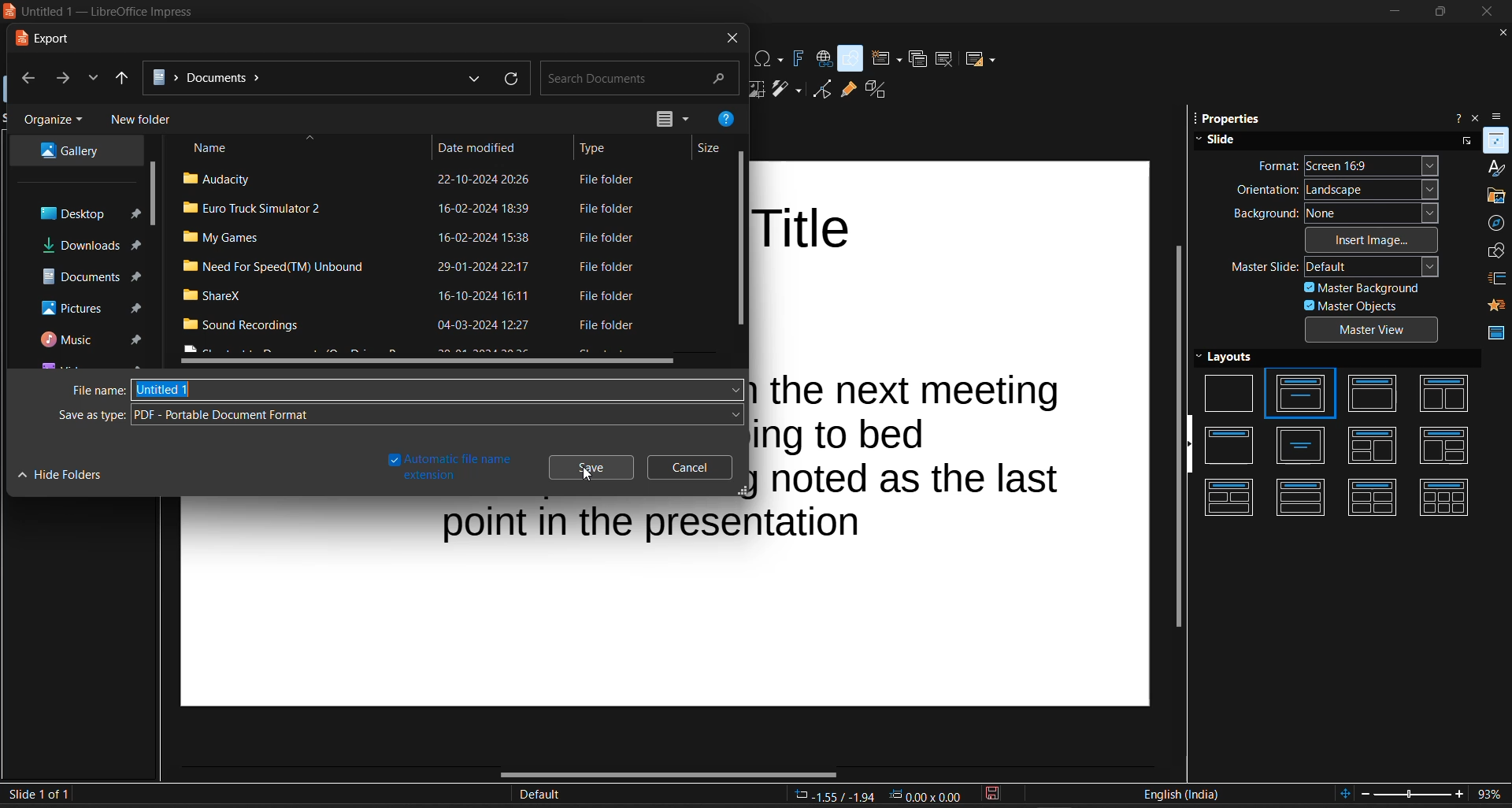 The height and width of the screenshot is (808, 1512). I want to click on Documents, so click(91, 275).